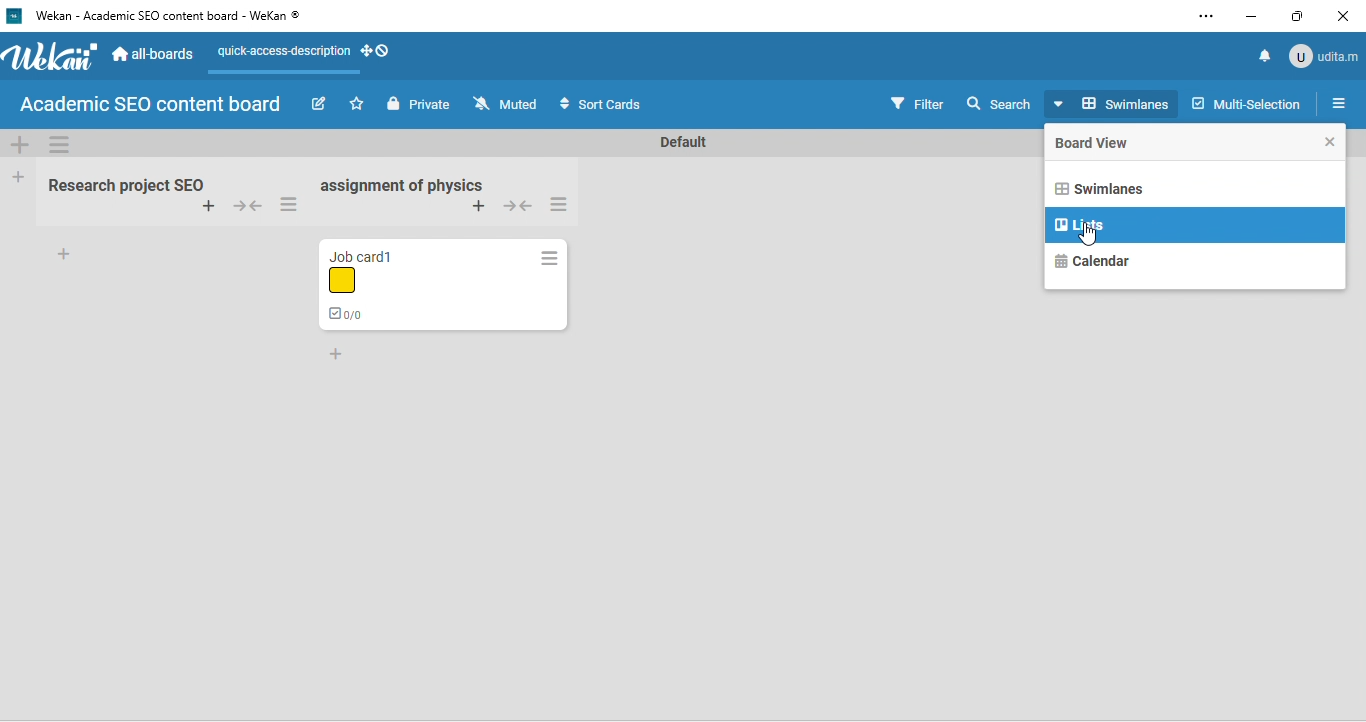  I want to click on swimlanes, so click(1115, 102).